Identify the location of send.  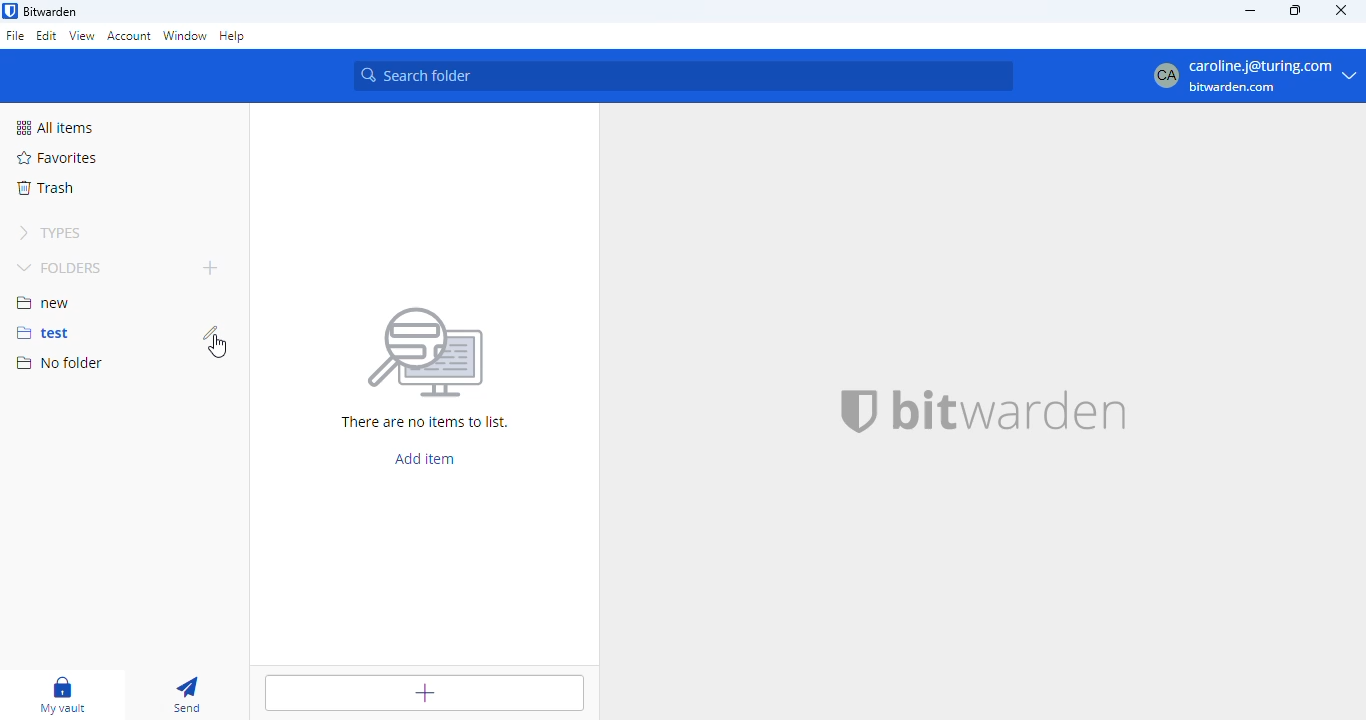
(189, 695).